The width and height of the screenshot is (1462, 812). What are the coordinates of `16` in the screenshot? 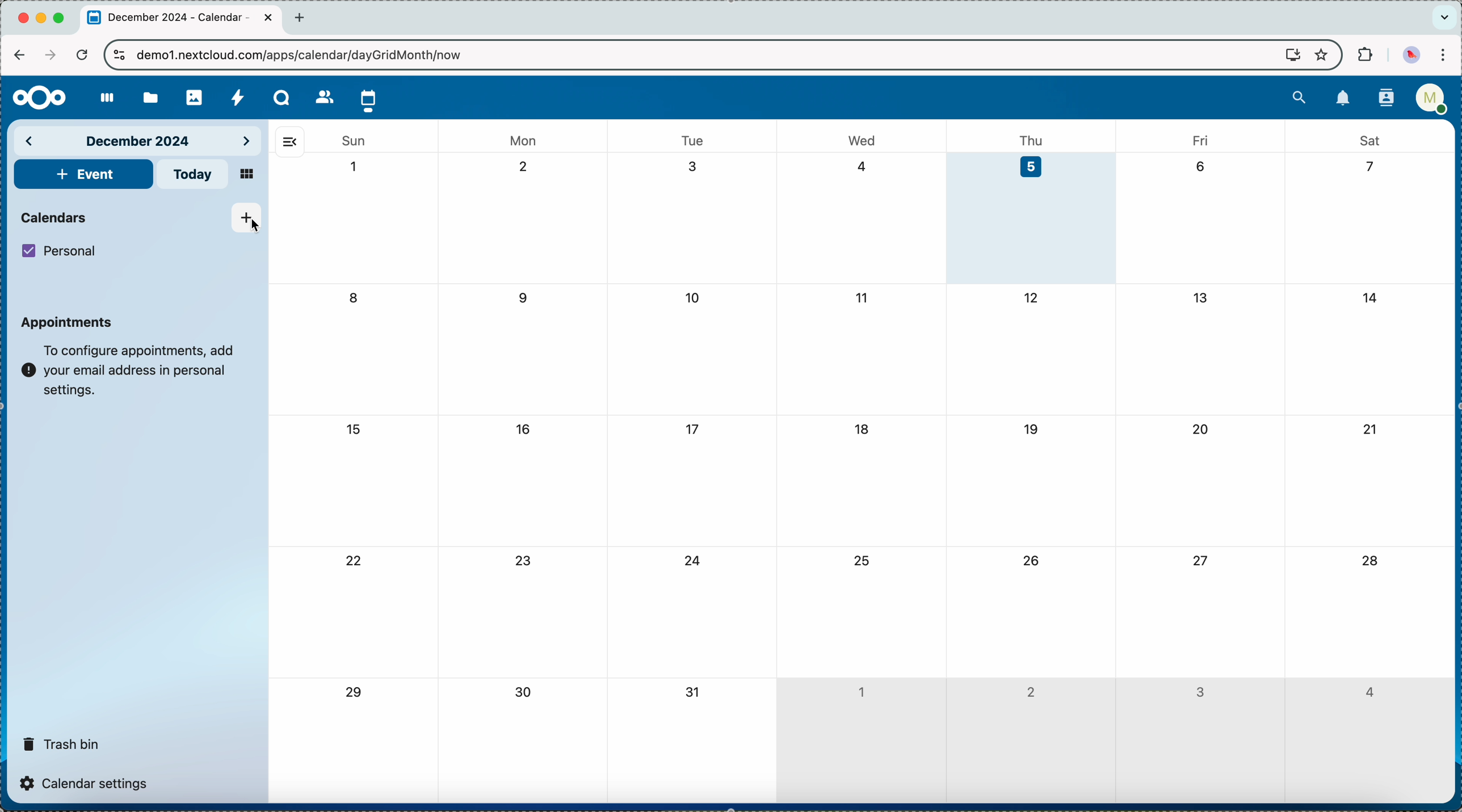 It's located at (523, 428).